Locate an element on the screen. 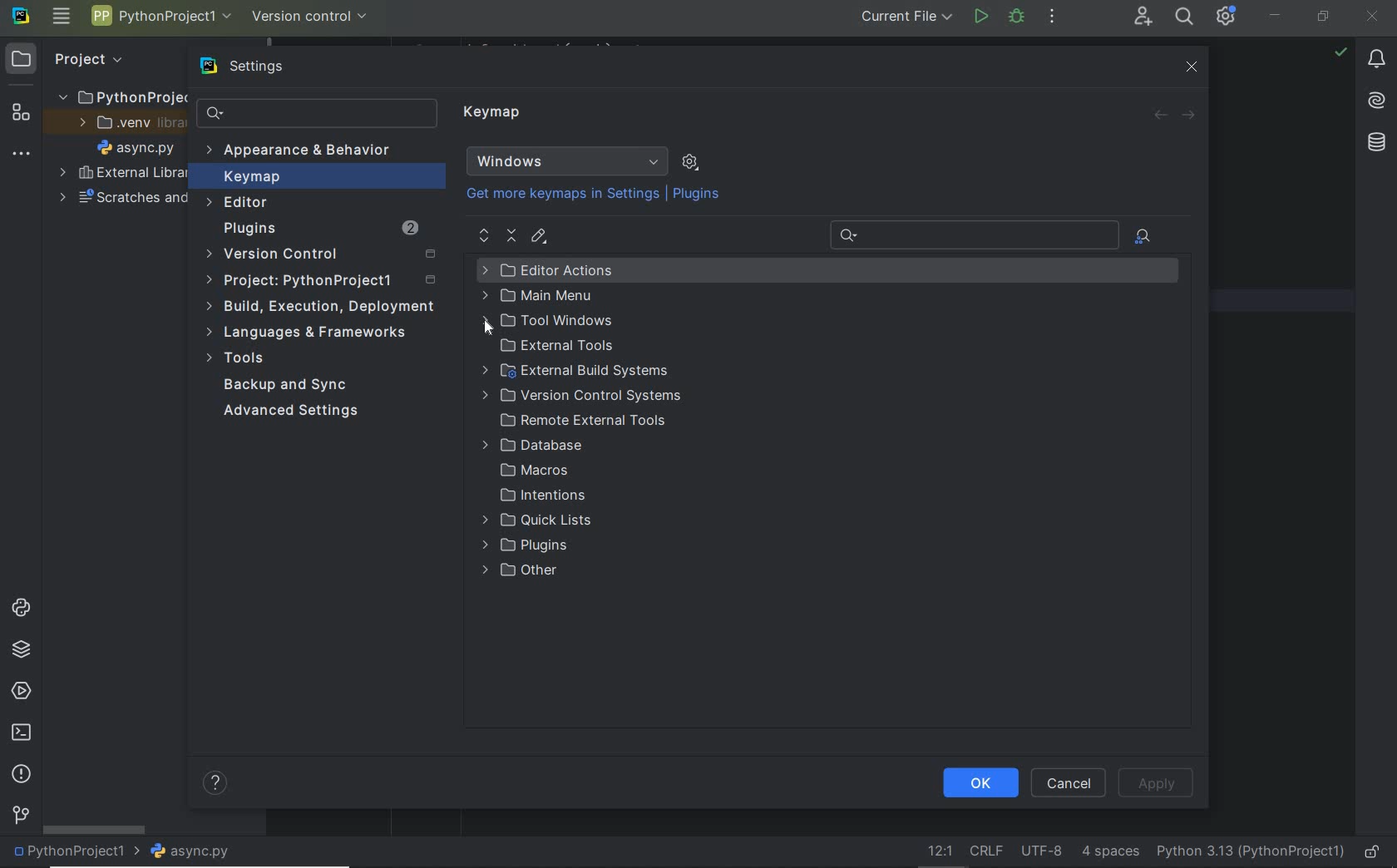  version control is located at coordinates (311, 15).